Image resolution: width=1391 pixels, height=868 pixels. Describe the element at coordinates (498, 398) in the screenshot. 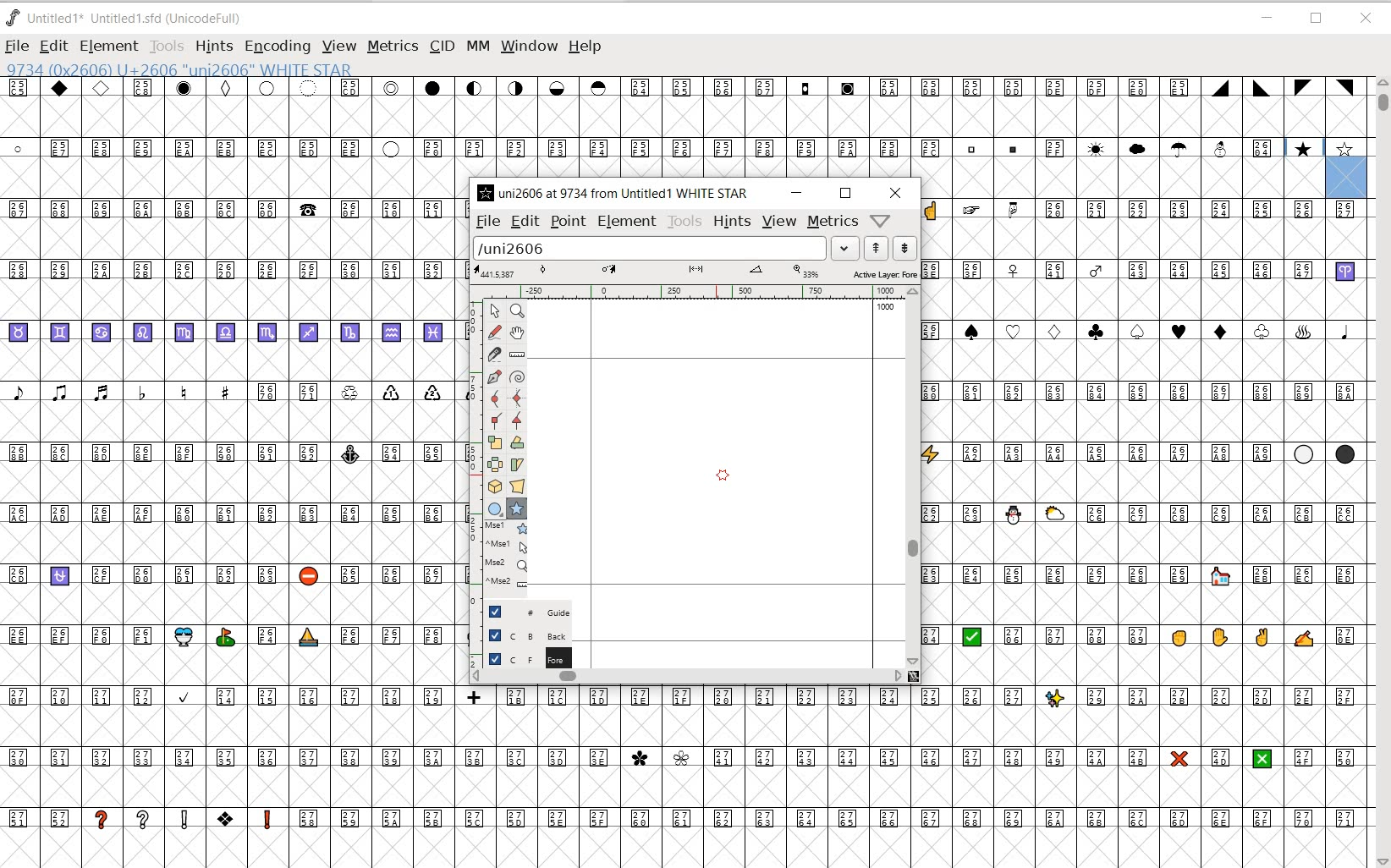

I see `ADD A CURVE POINT` at that location.